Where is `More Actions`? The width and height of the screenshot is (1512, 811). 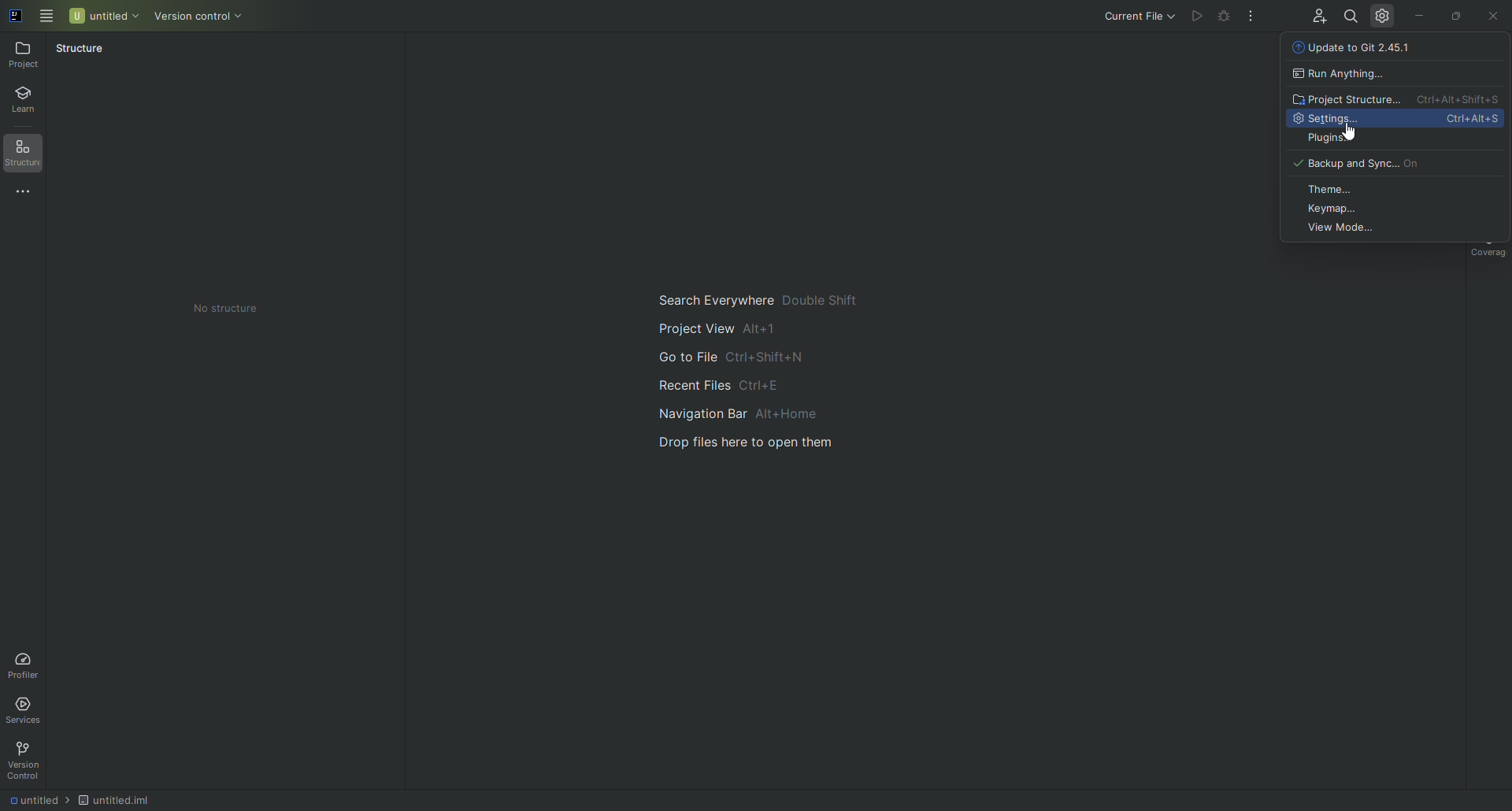
More Actions is located at coordinates (1251, 17).